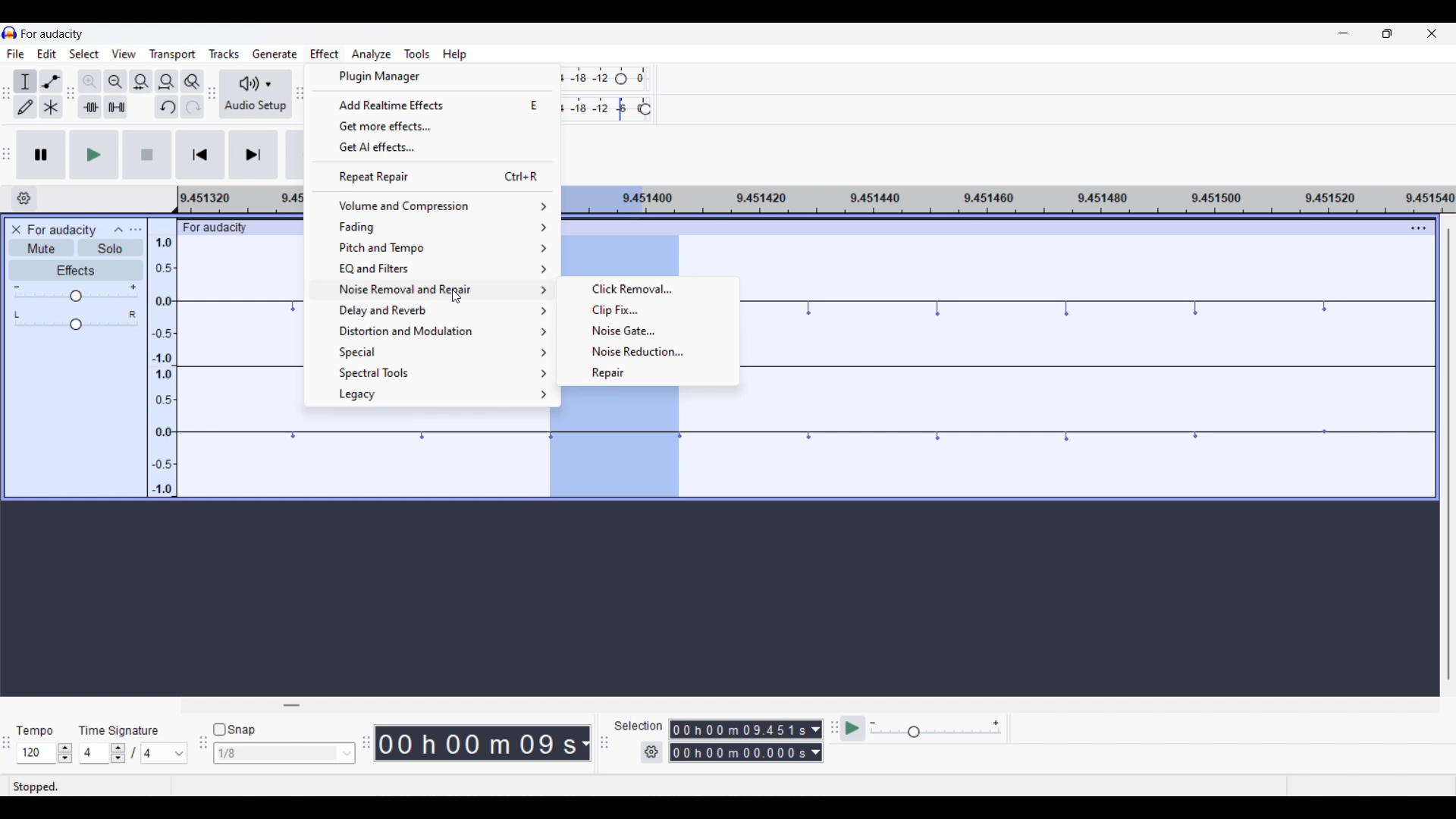 This screenshot has height=819, width=1456. I want to click on Pause, so click(41, 155).